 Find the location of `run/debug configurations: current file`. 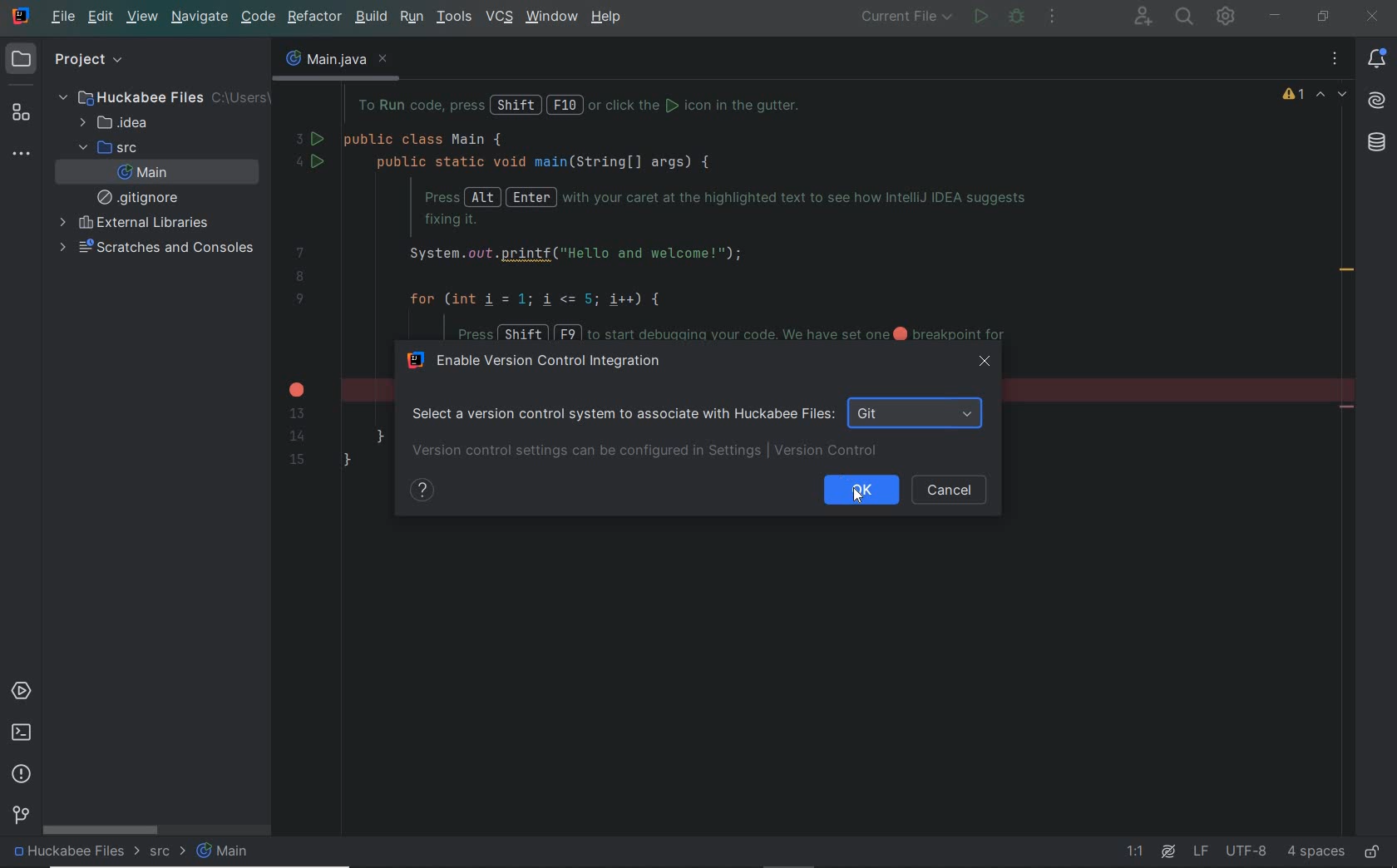

run/debug configurations: current file is located at coordinates (908, 18).